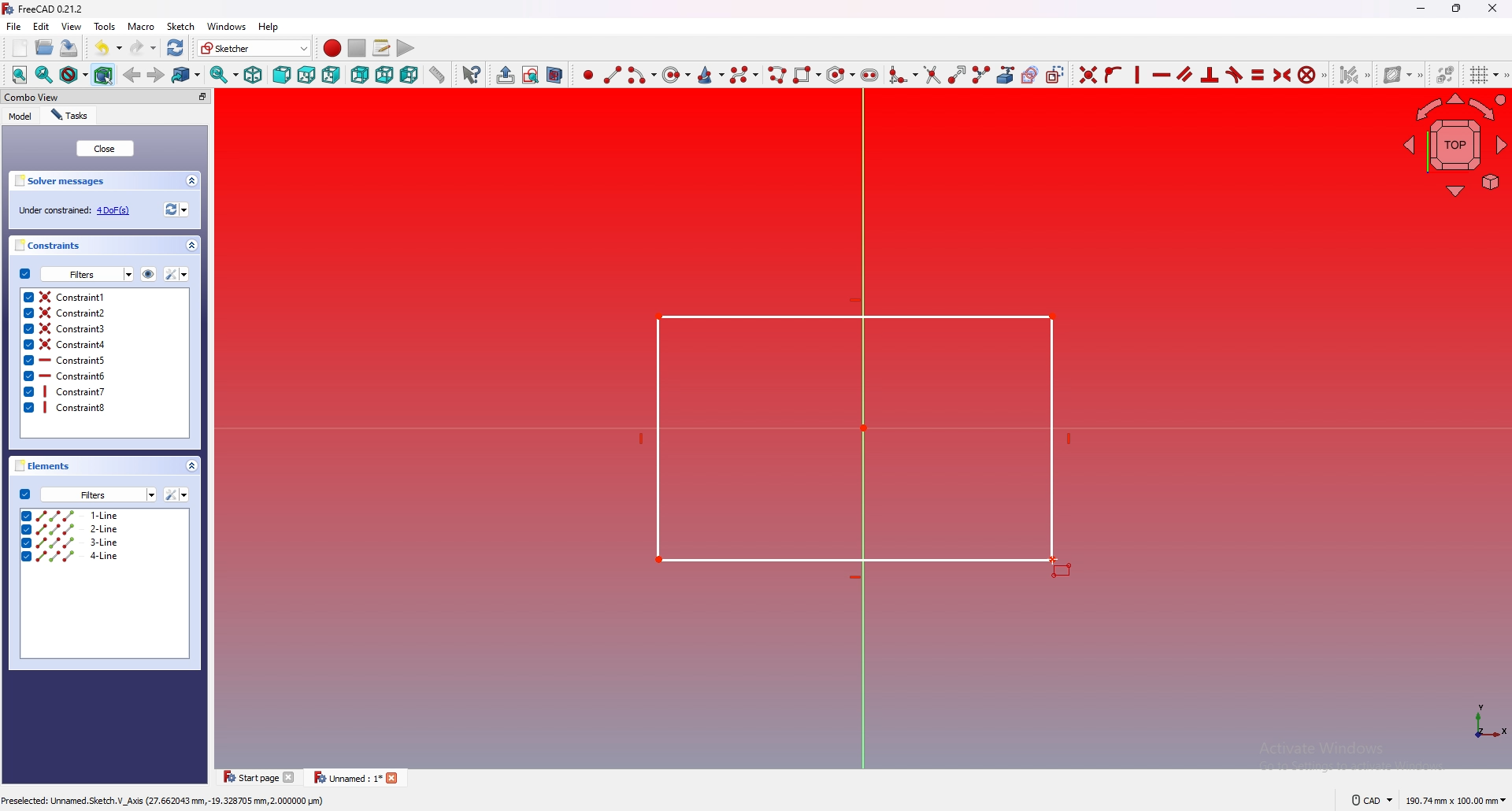  What do you see at coordinates (109, 47) in the screenshot?
I see `undo` at bounding box center [109, 47].